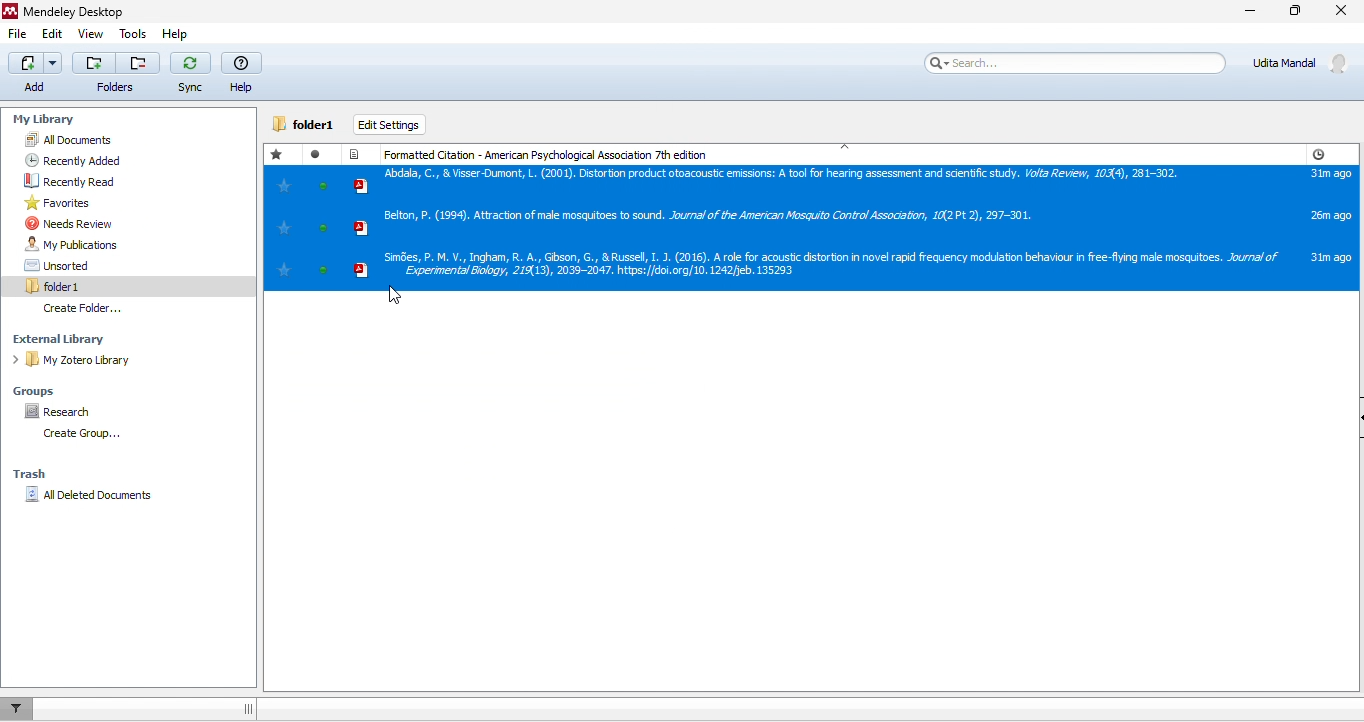 The width and height of the screenshot is (1364, 722). What do you see at coordinates (82, 140) in the screenshot?
I see `all documents` at bounding box center [82, 140].